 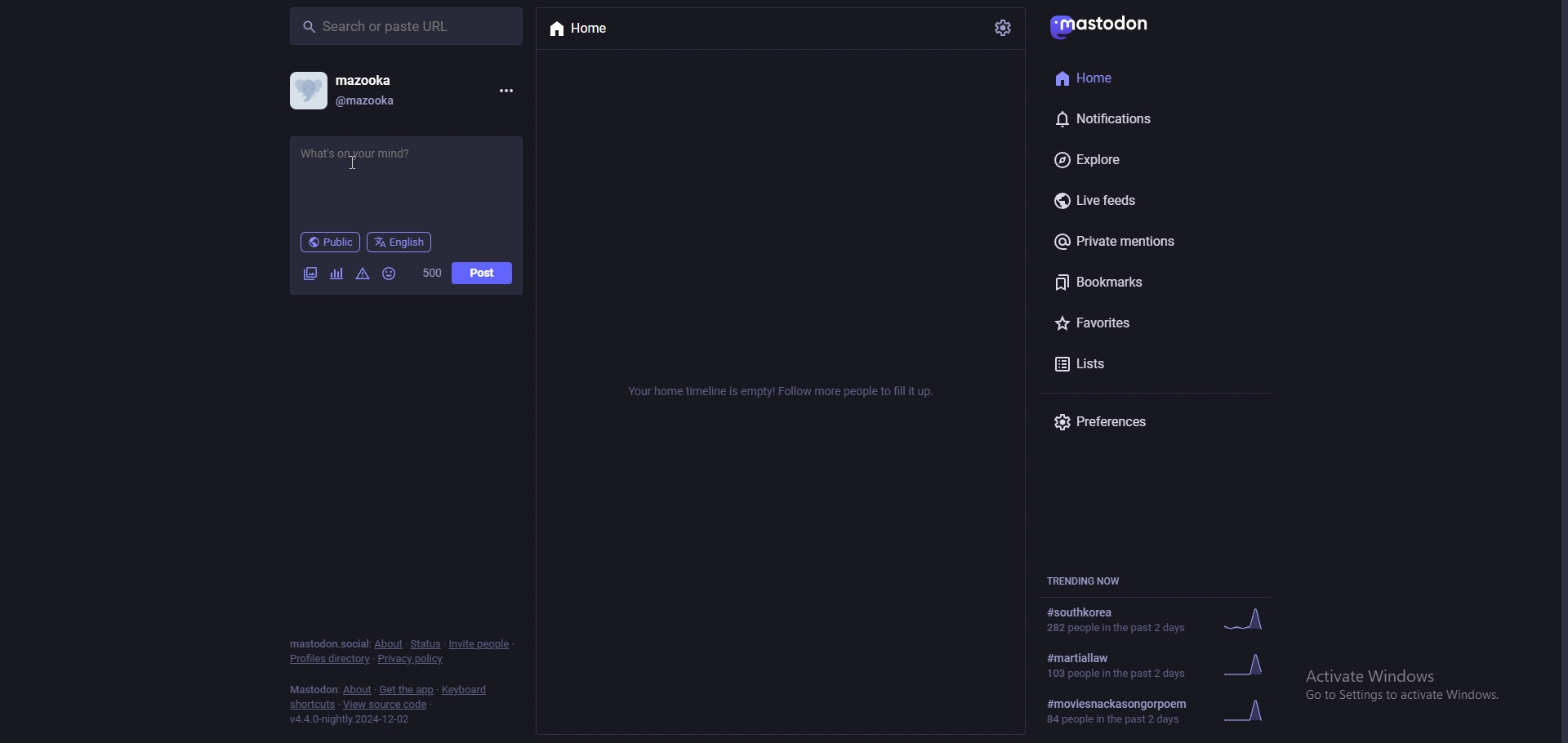 I want to click on audience, so click(x=331, y=242).